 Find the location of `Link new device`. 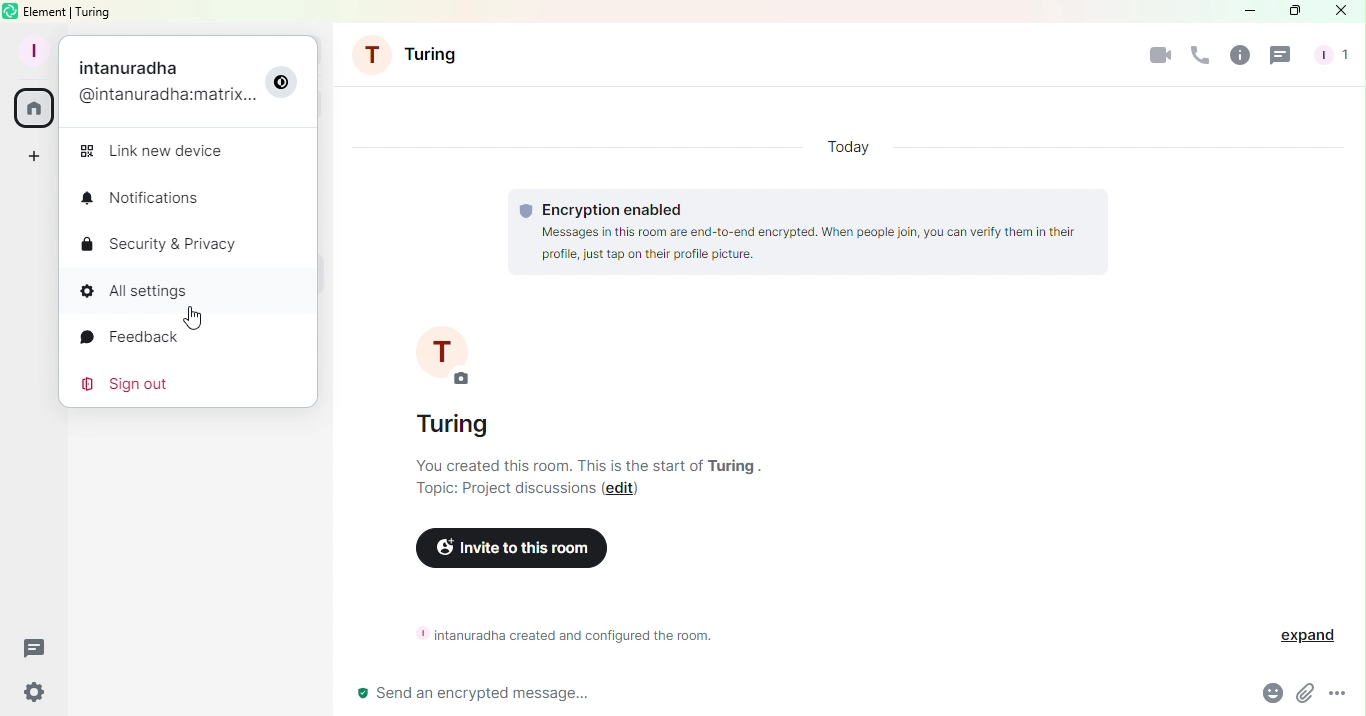

Link new device is located at coordinates (157, 149).